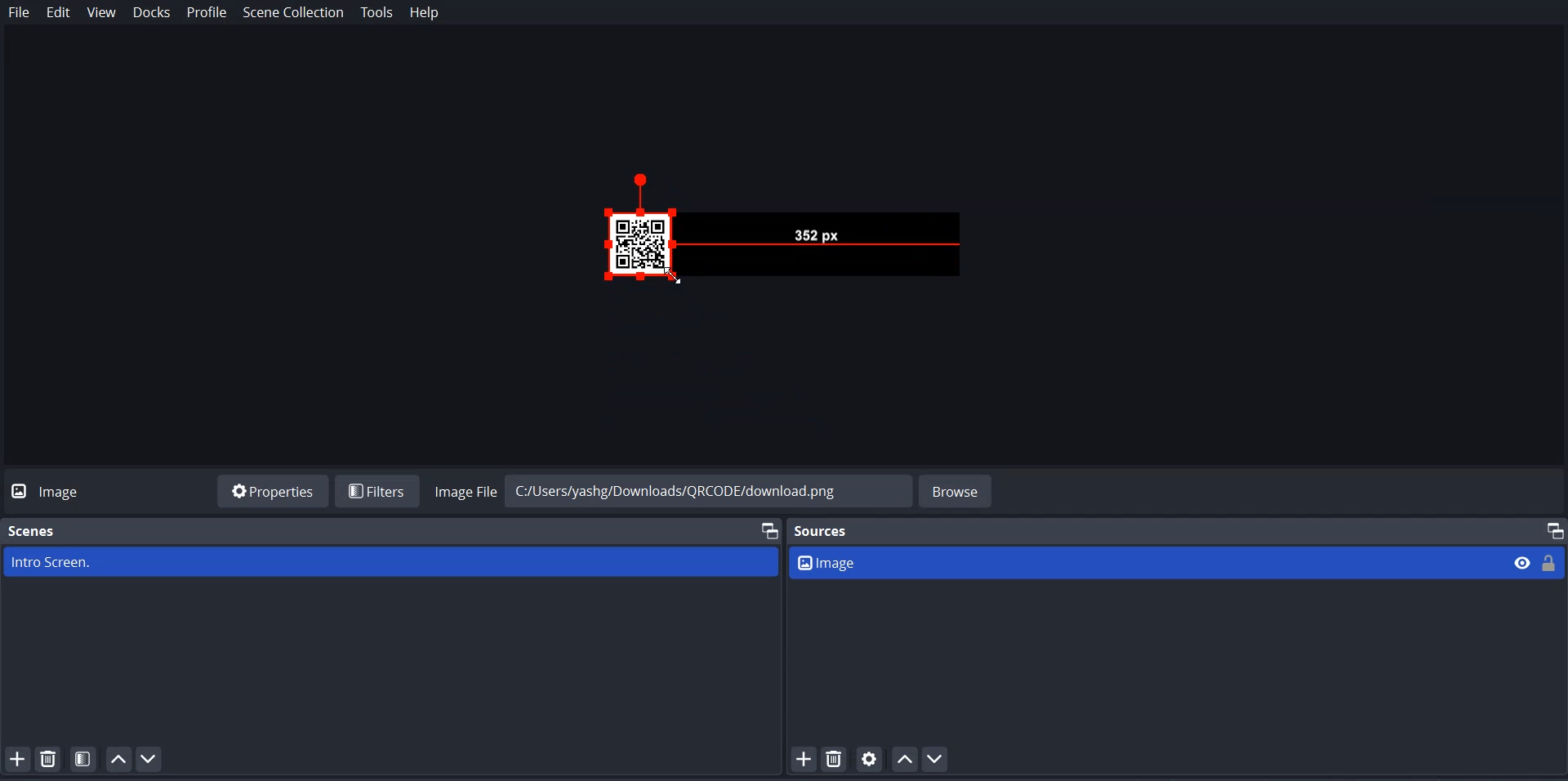 This screenshot has height=781, width=1568. I want to click on Docks, so click(153, 14).